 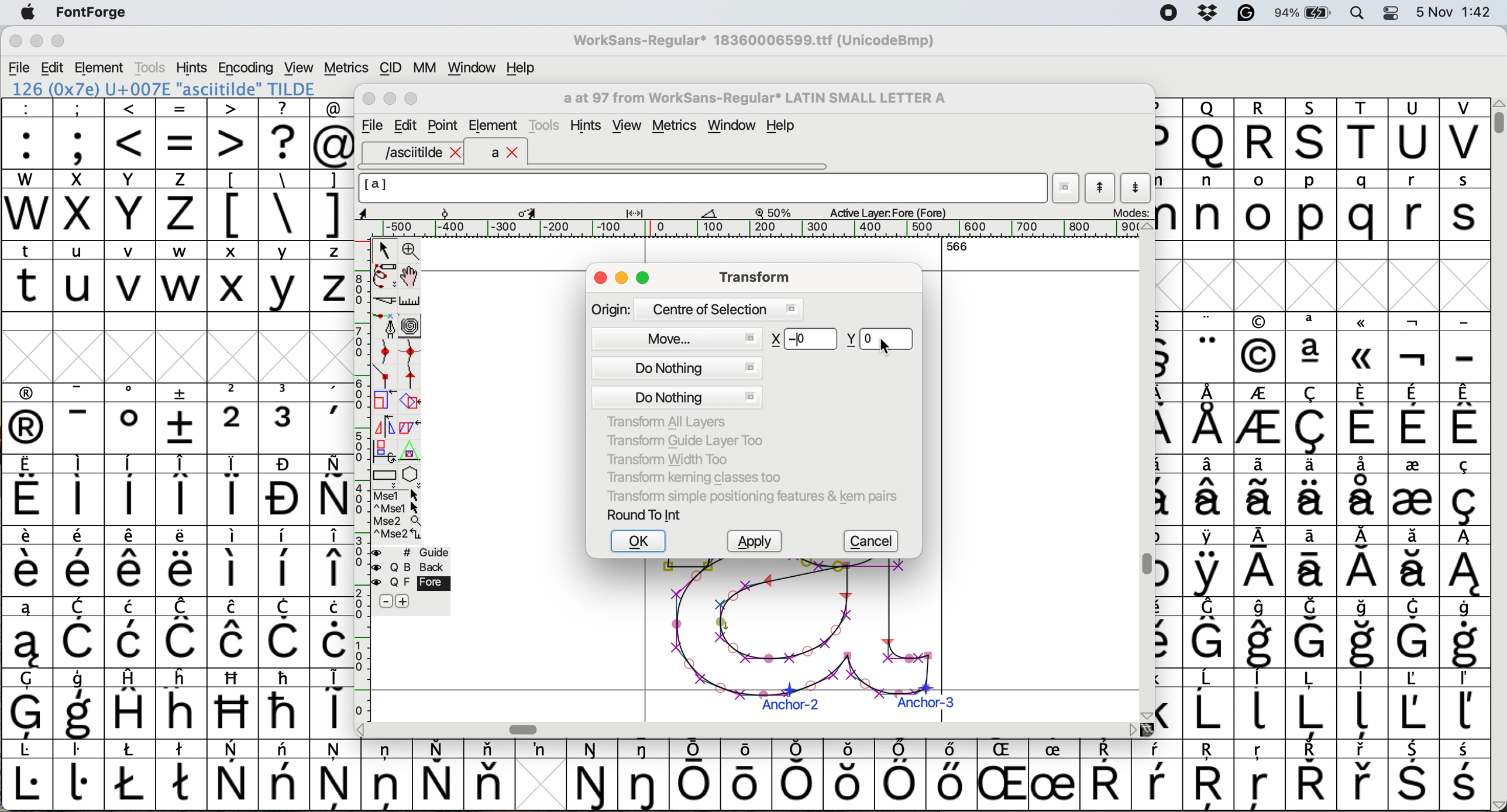 I want to click on y coordinate, so click(x=876, y=339).